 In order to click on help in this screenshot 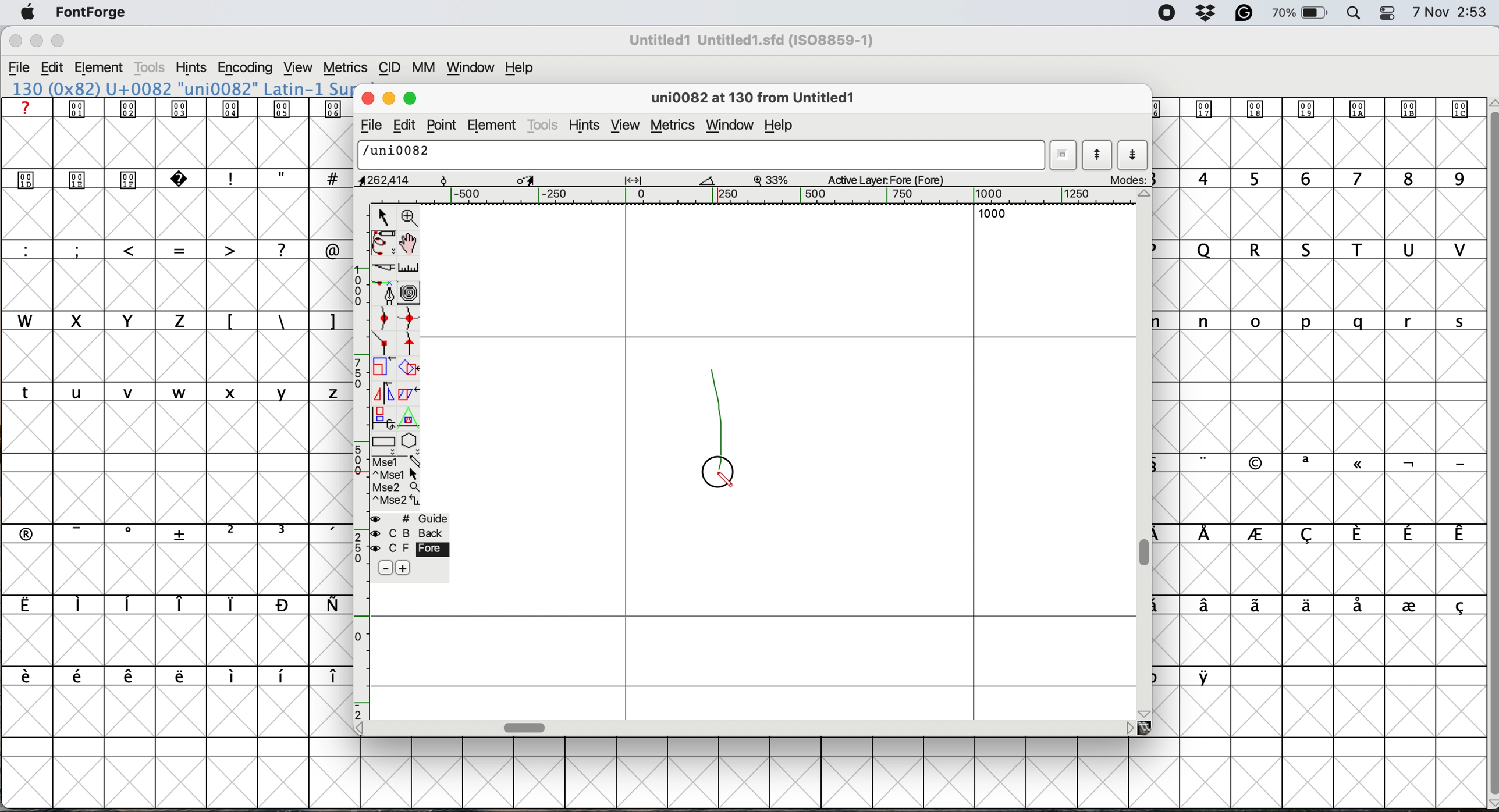, I will do `click(517, 69)`.